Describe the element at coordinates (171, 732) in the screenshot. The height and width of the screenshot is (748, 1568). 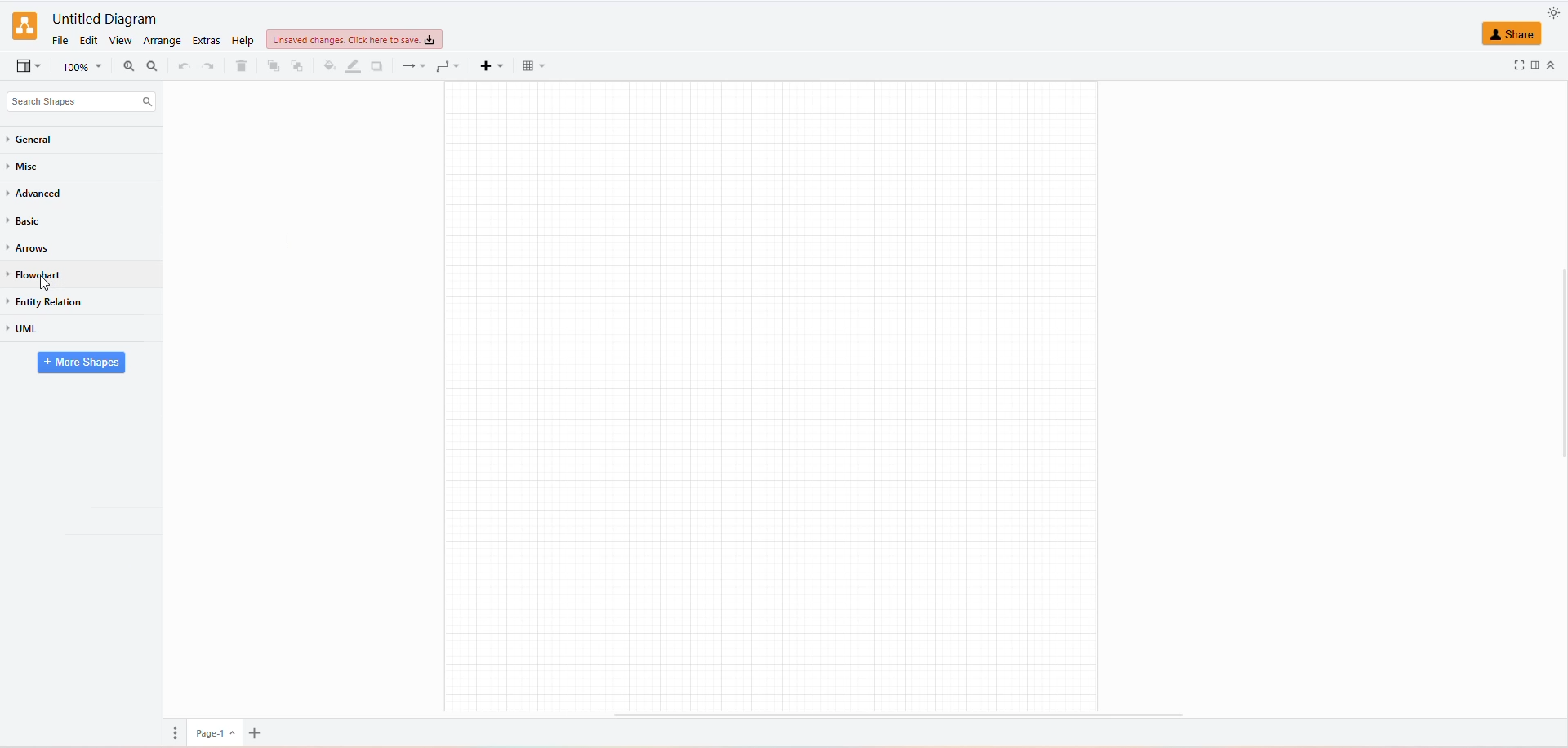
I see `PAGES` at that location.